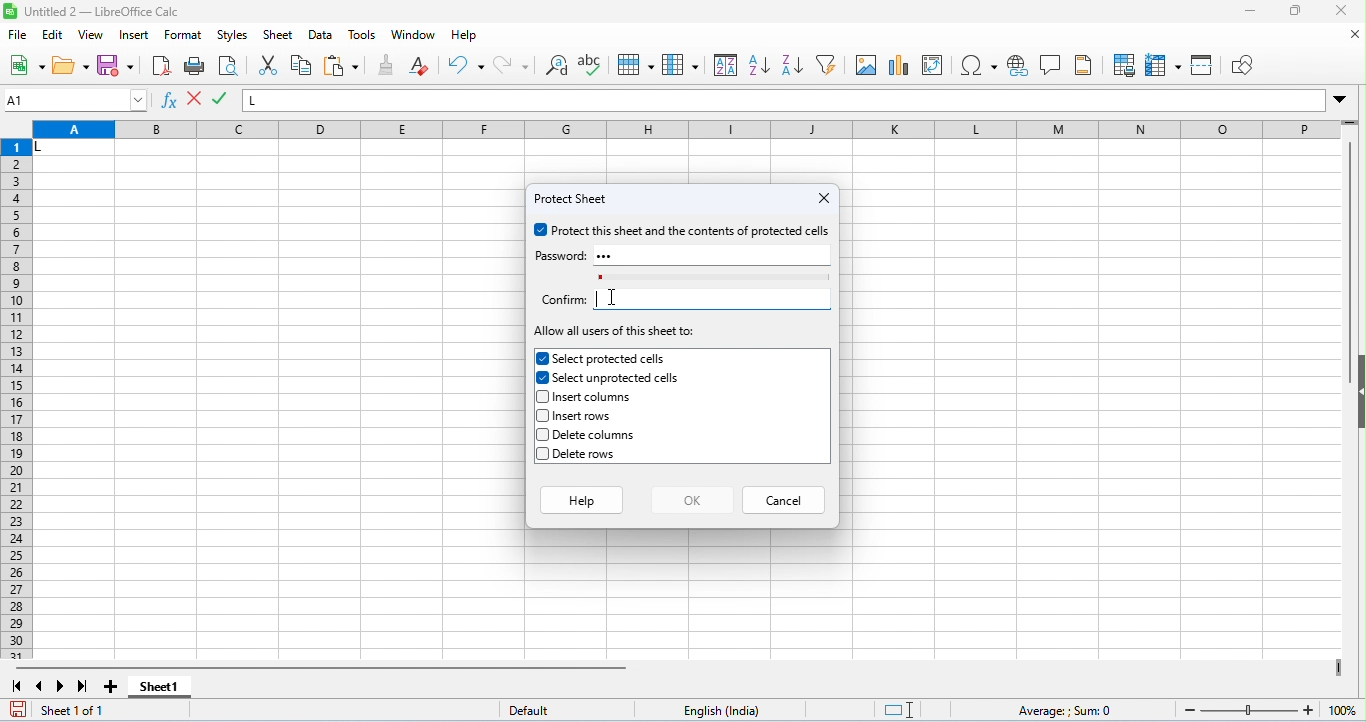 The image size is (1366, 722). Describe the element at coordinates (1340, 99) in the screenshot. I see `drop down` at that location.